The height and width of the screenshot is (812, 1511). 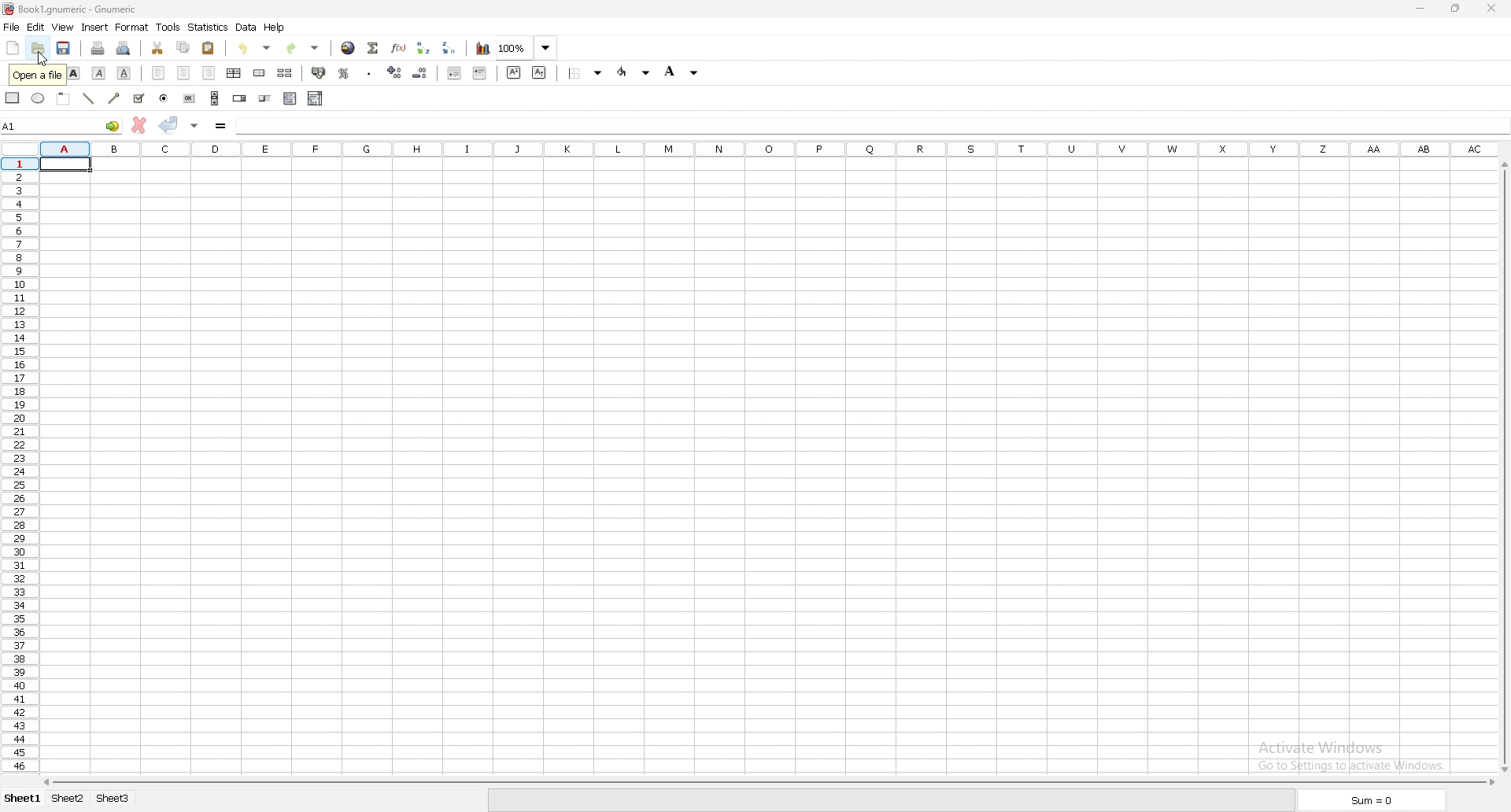 What do you see at coordinates (215, 98) in the screenshot?
I see `scroll bar` at bounding box center [215, 98].